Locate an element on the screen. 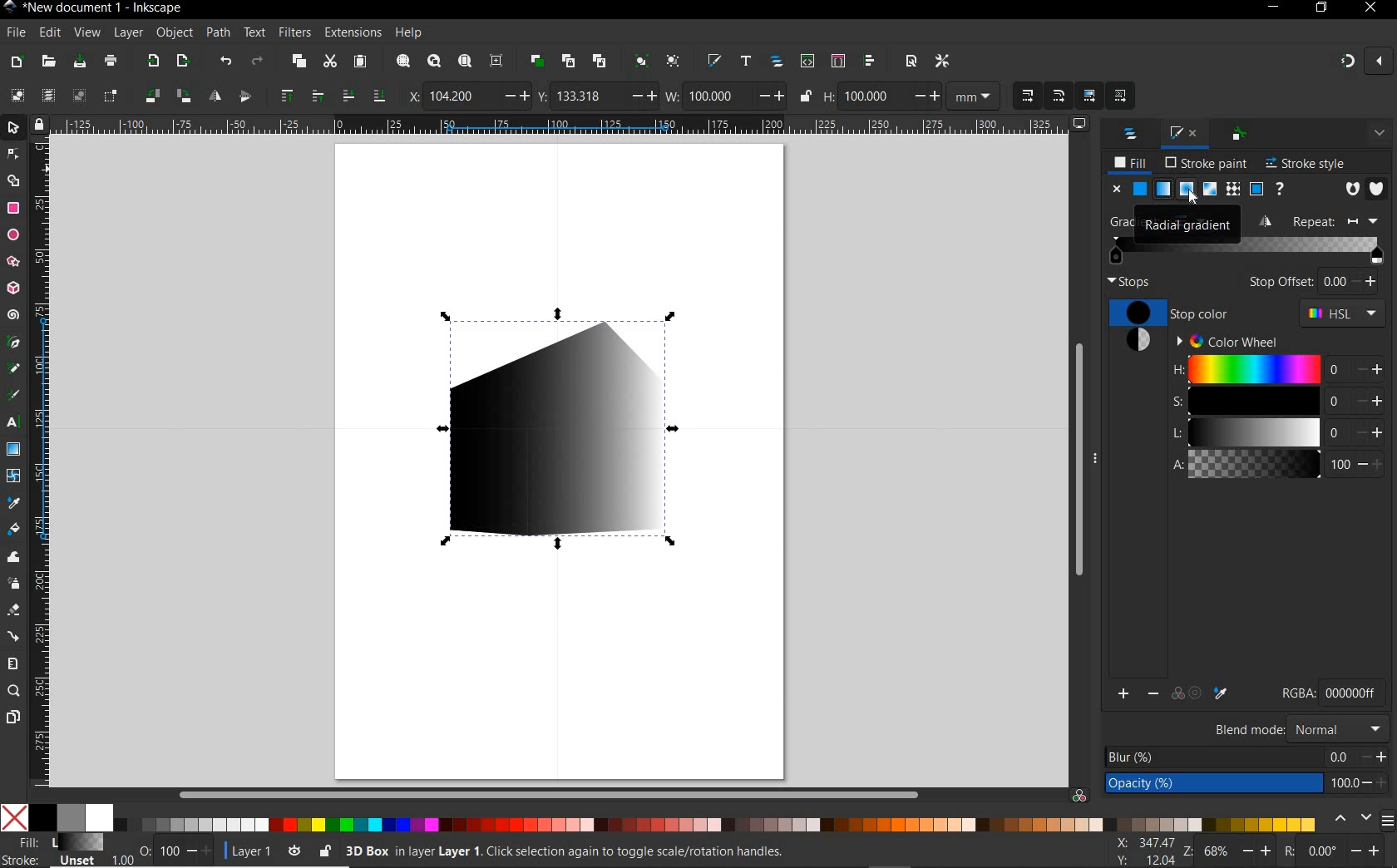 The image size is (1397, 868). increase/decrease is located at coordinates (1371, 284).